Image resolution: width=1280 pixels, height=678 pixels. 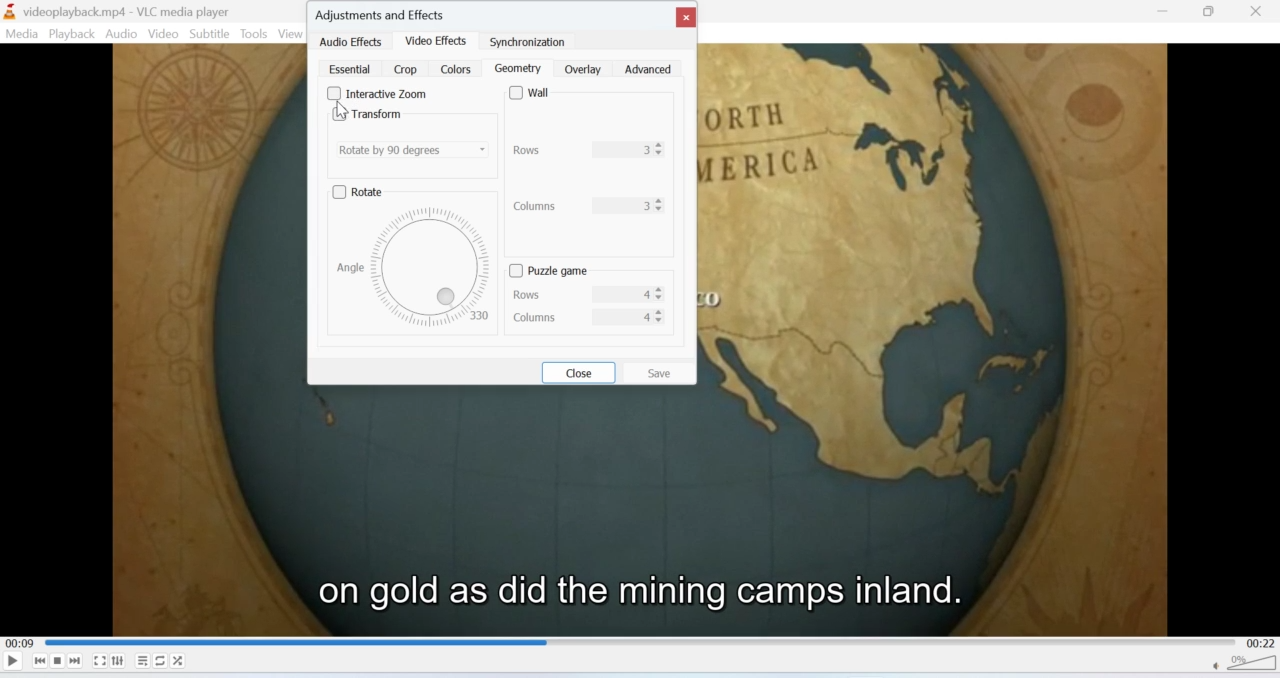 What do you see at coordinates (100, 662) in the screenshot?
I see `Fullscreen` at bounding box center [100, 662].